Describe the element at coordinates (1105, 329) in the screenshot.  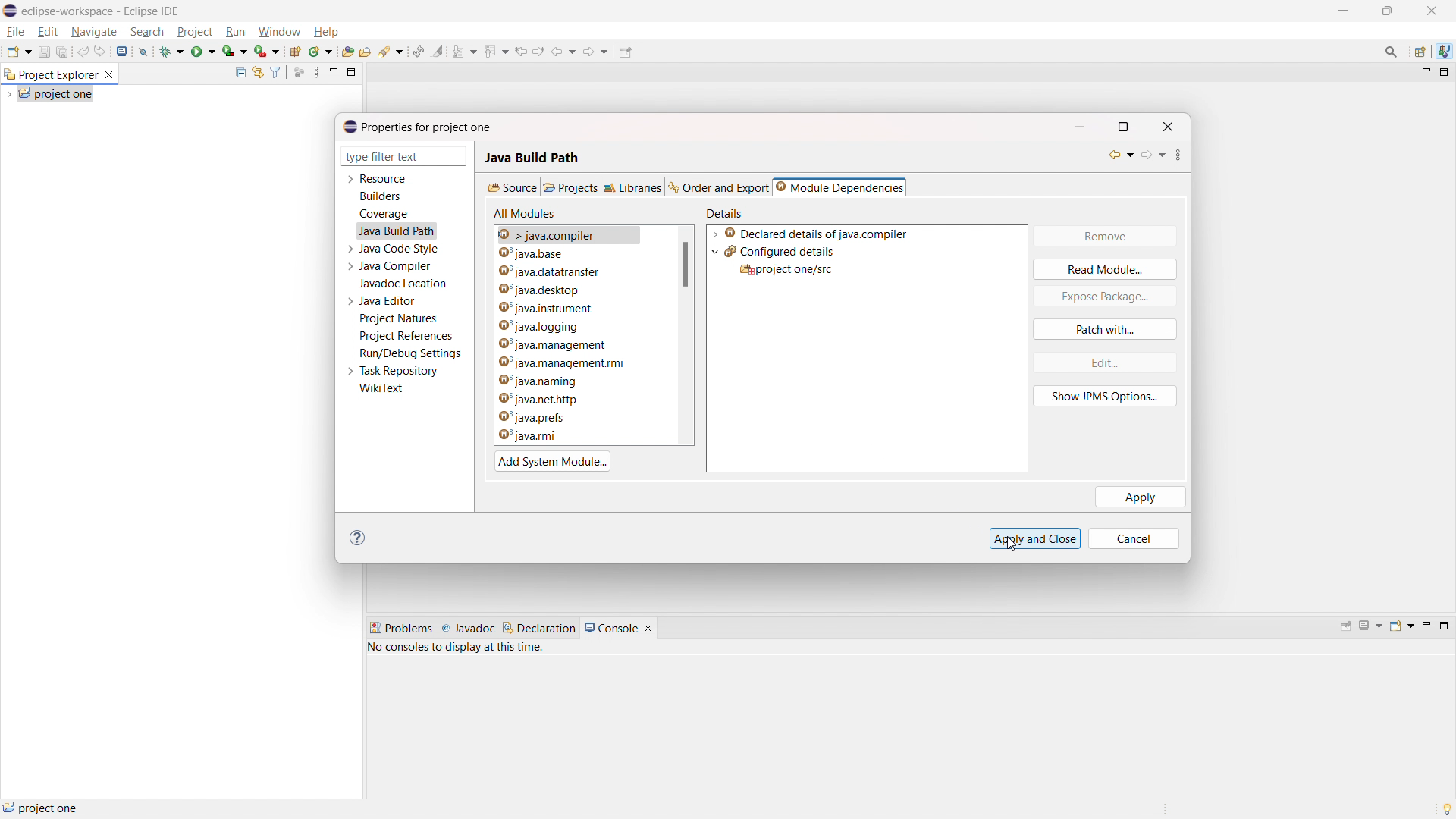
I see `patch with` at that location.